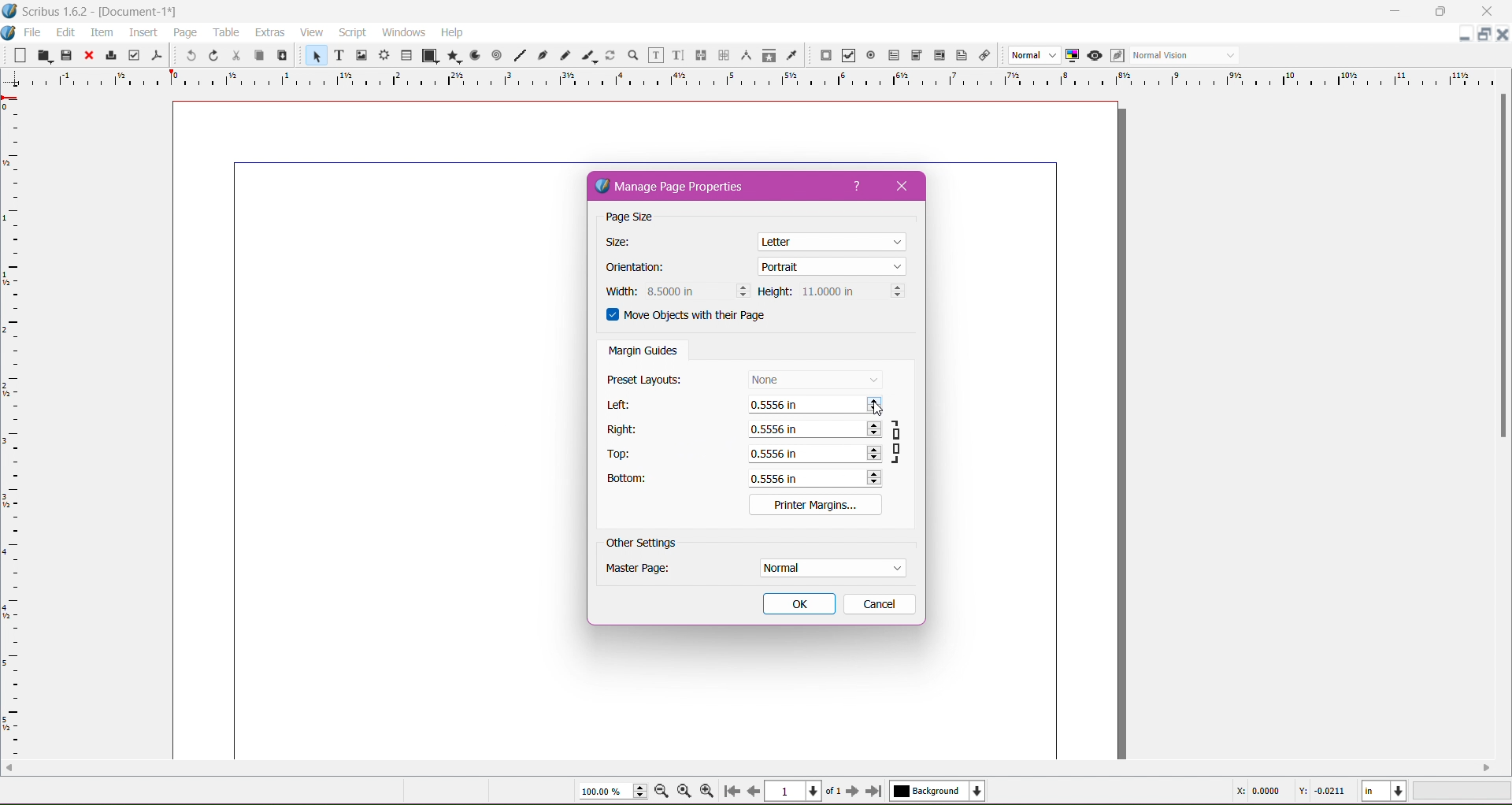 This screenshot has width=1512, height=805. Describe the element at coordinates (338, 55) in the screenshot. I see `Text Frame` at that location.